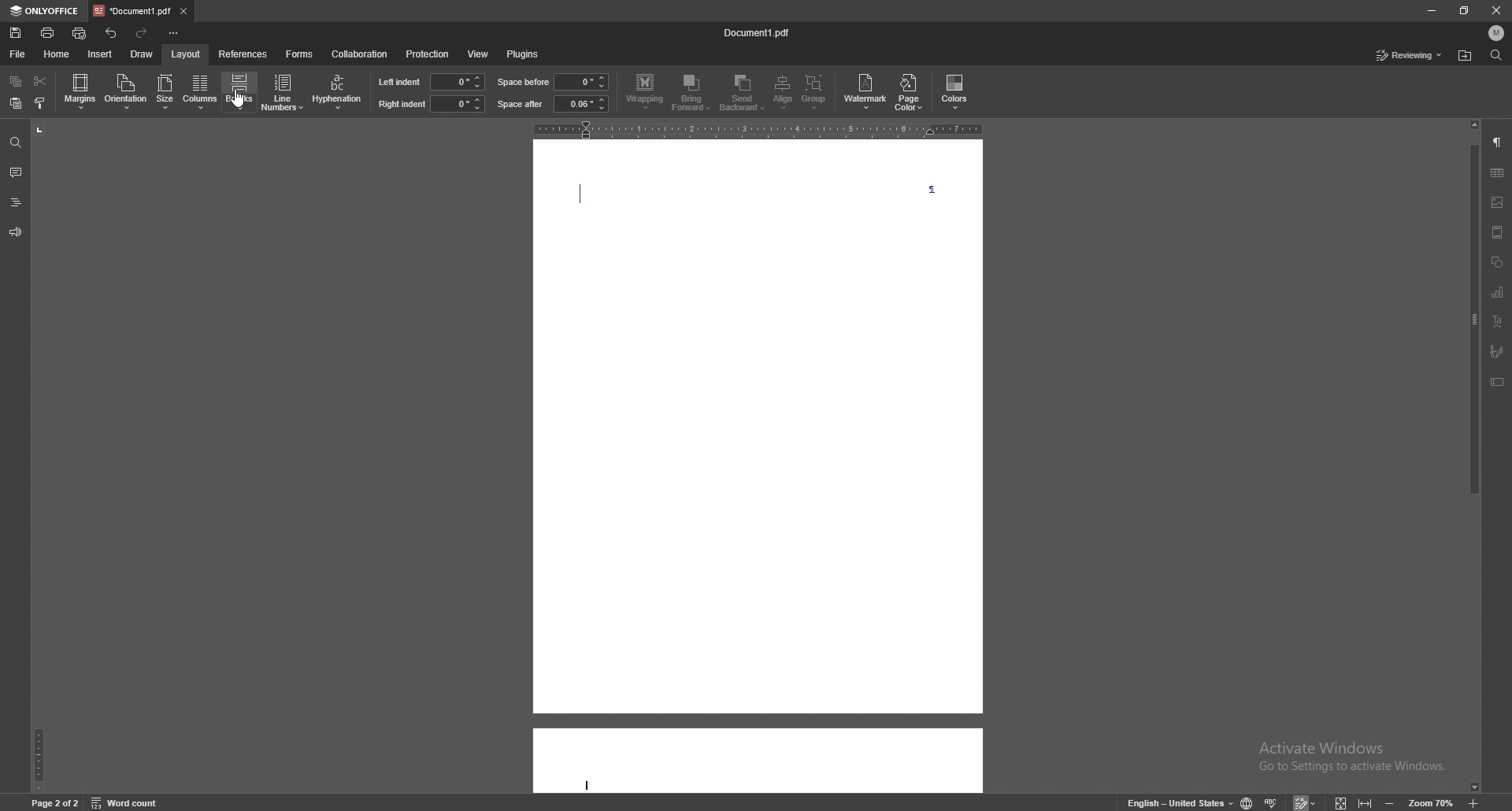 The width and height of the screenshot is (1512, 811). Describe the element at coordinates (241, 91) in the screenshot. I see `breaks` at that location.